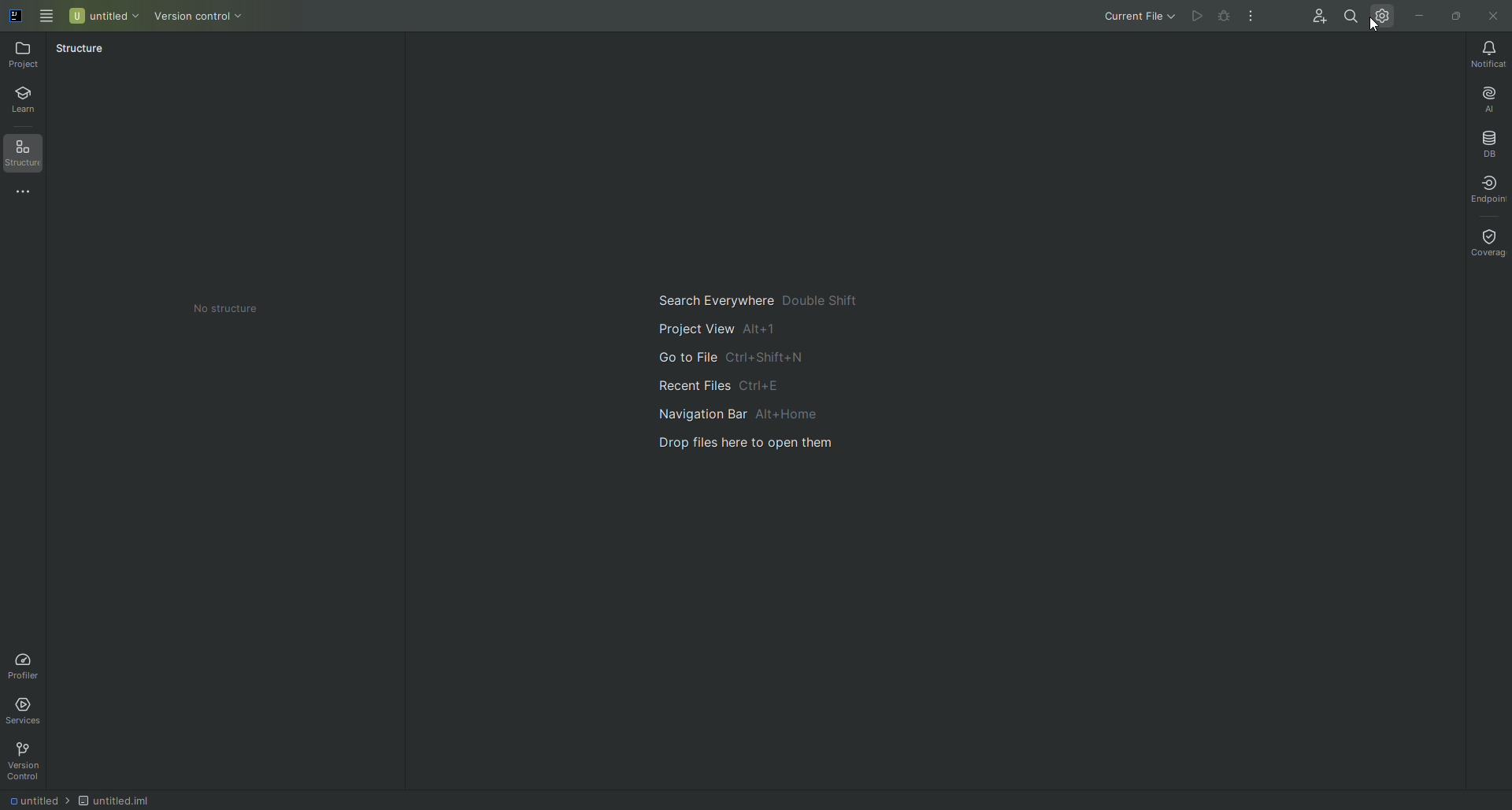  Describe the element at coordinates (1142, 17) in the screenshot. I see `Current File` at that location.